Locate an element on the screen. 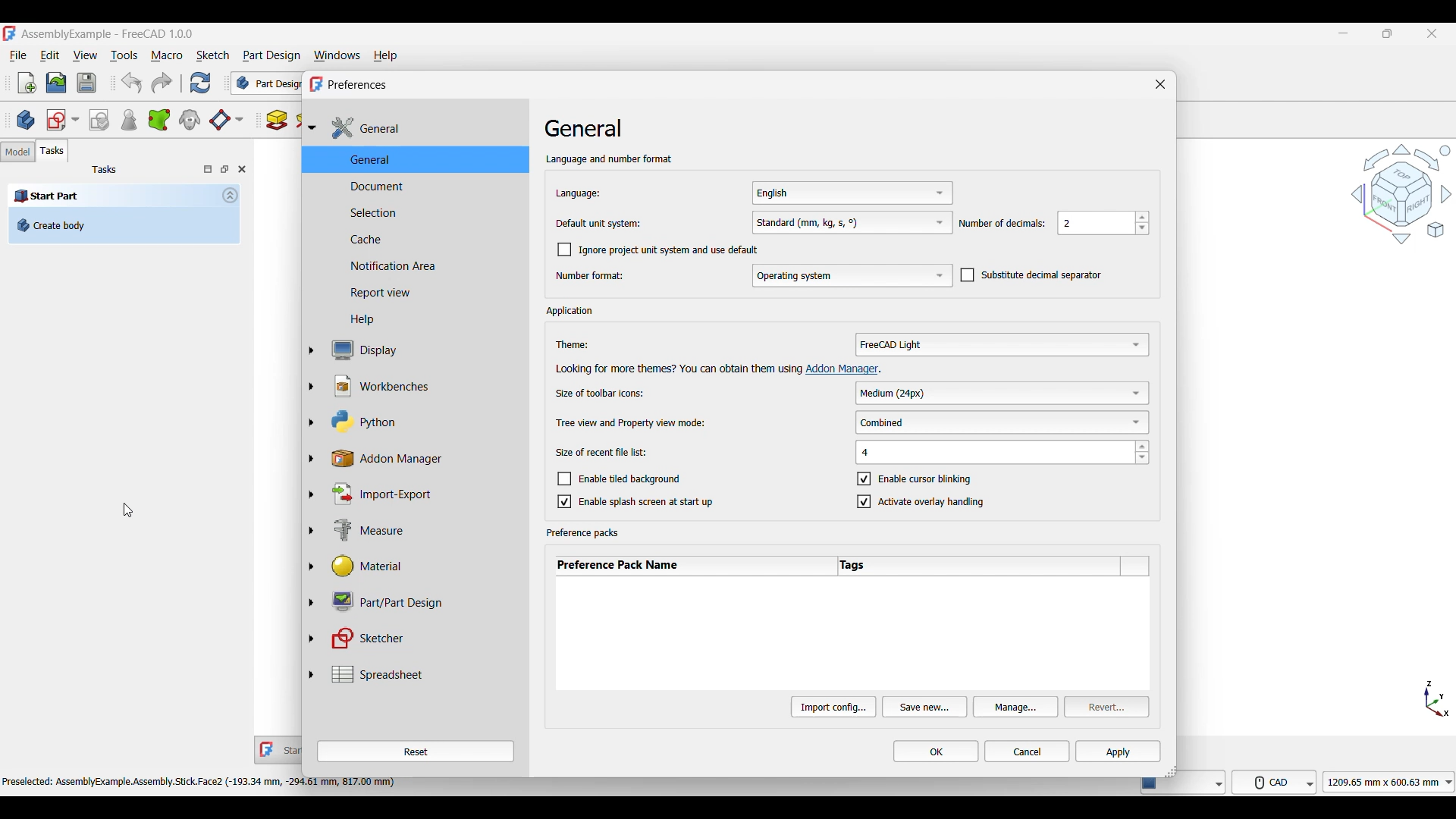 The height and width of the screenshot is (819, 1456). Cancel is located at coordinates (1027, 751).